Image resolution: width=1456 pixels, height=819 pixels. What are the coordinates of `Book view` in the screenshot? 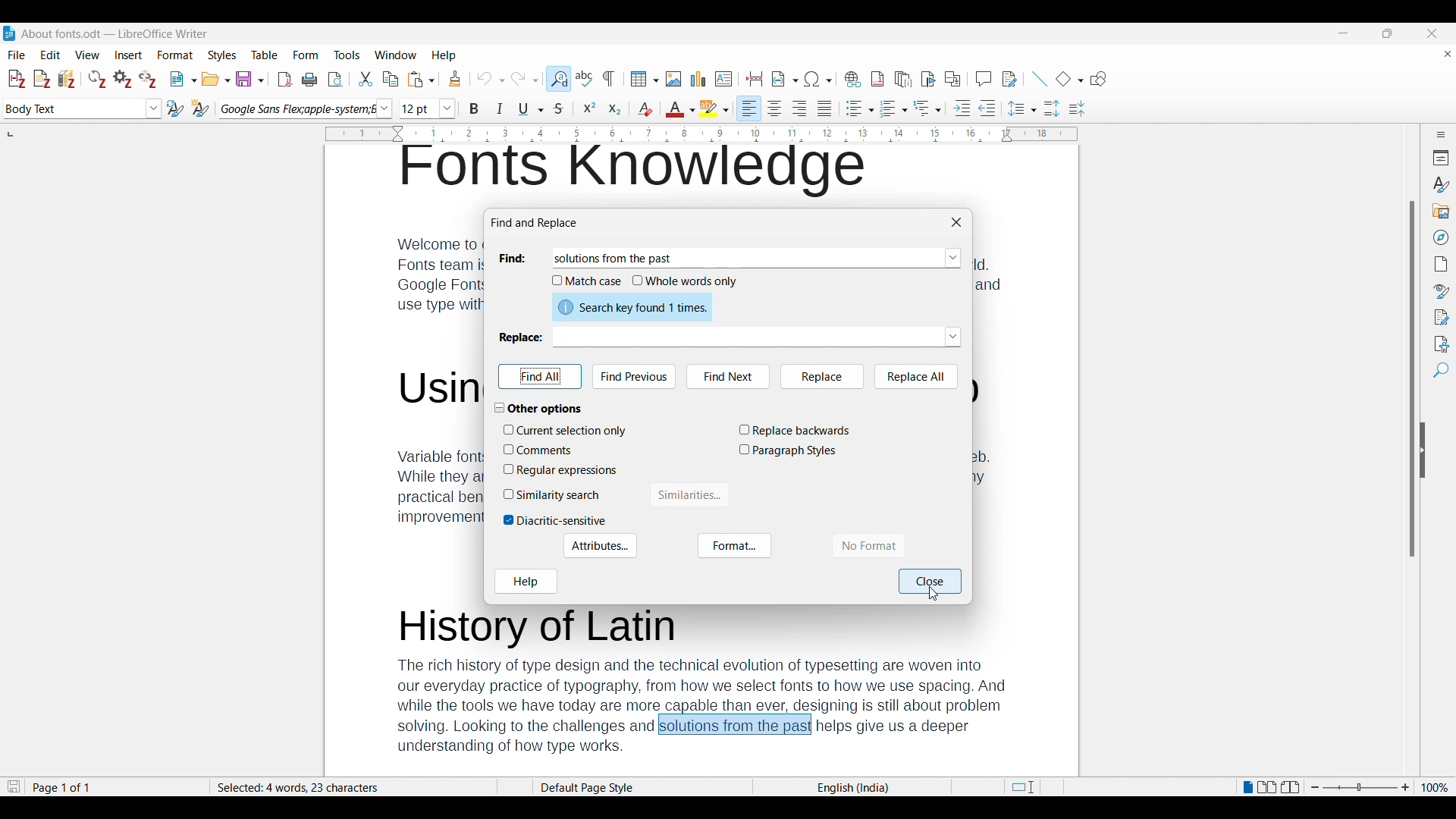 It's located at (1290, 787).